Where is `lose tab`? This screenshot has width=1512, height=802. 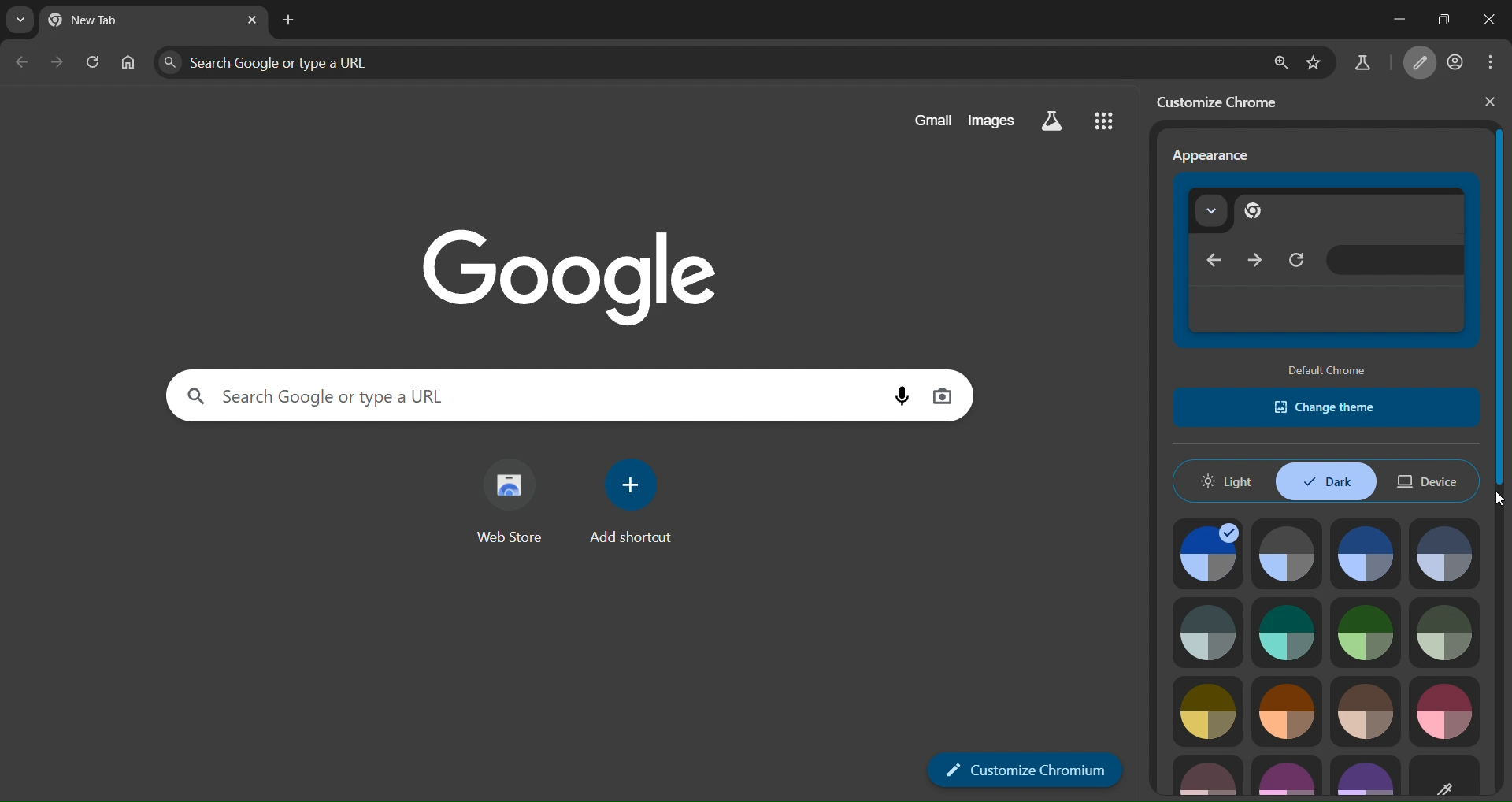 lose tab is located at coordinates (250, 20).